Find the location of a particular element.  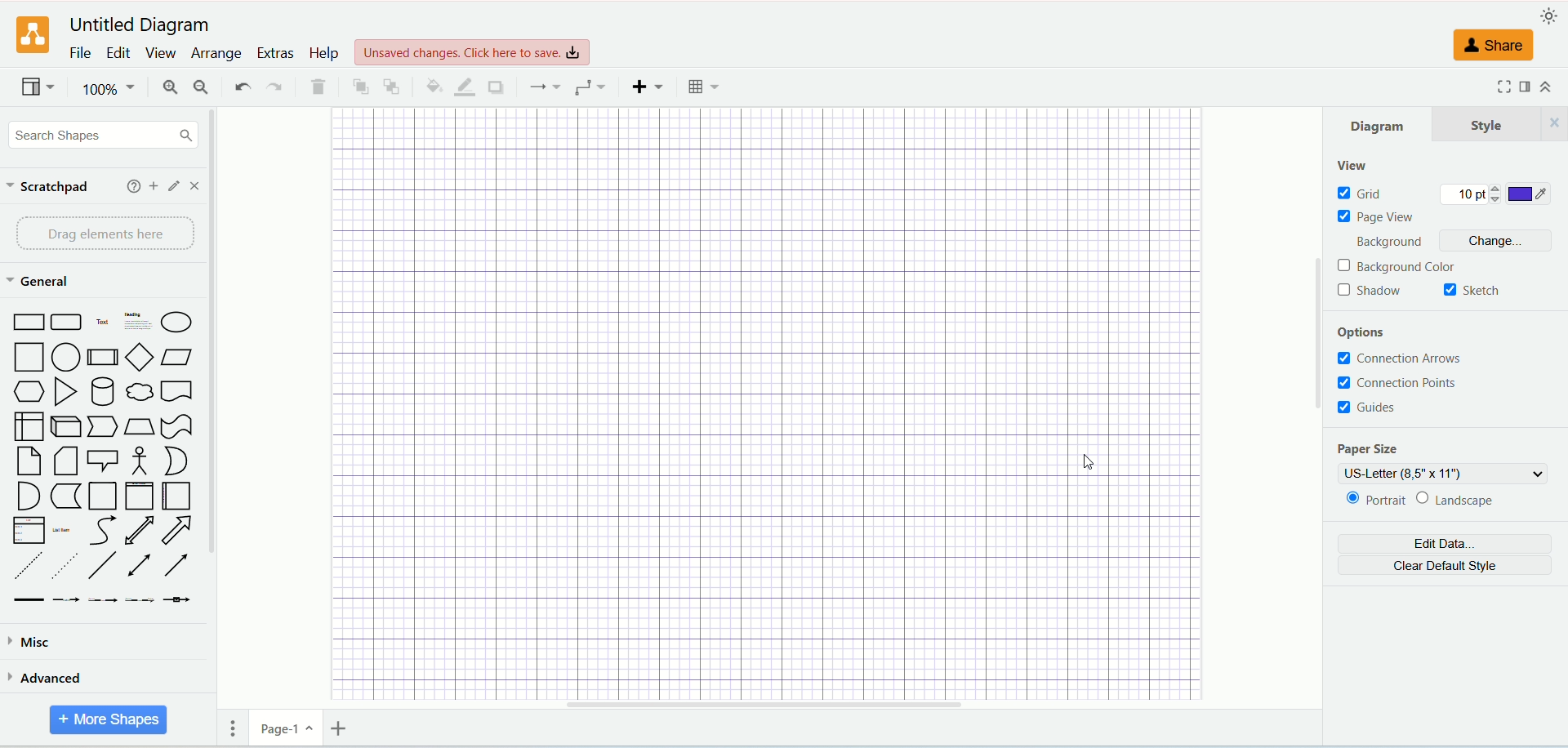

scratchpad is located at coordinates (50, 189).